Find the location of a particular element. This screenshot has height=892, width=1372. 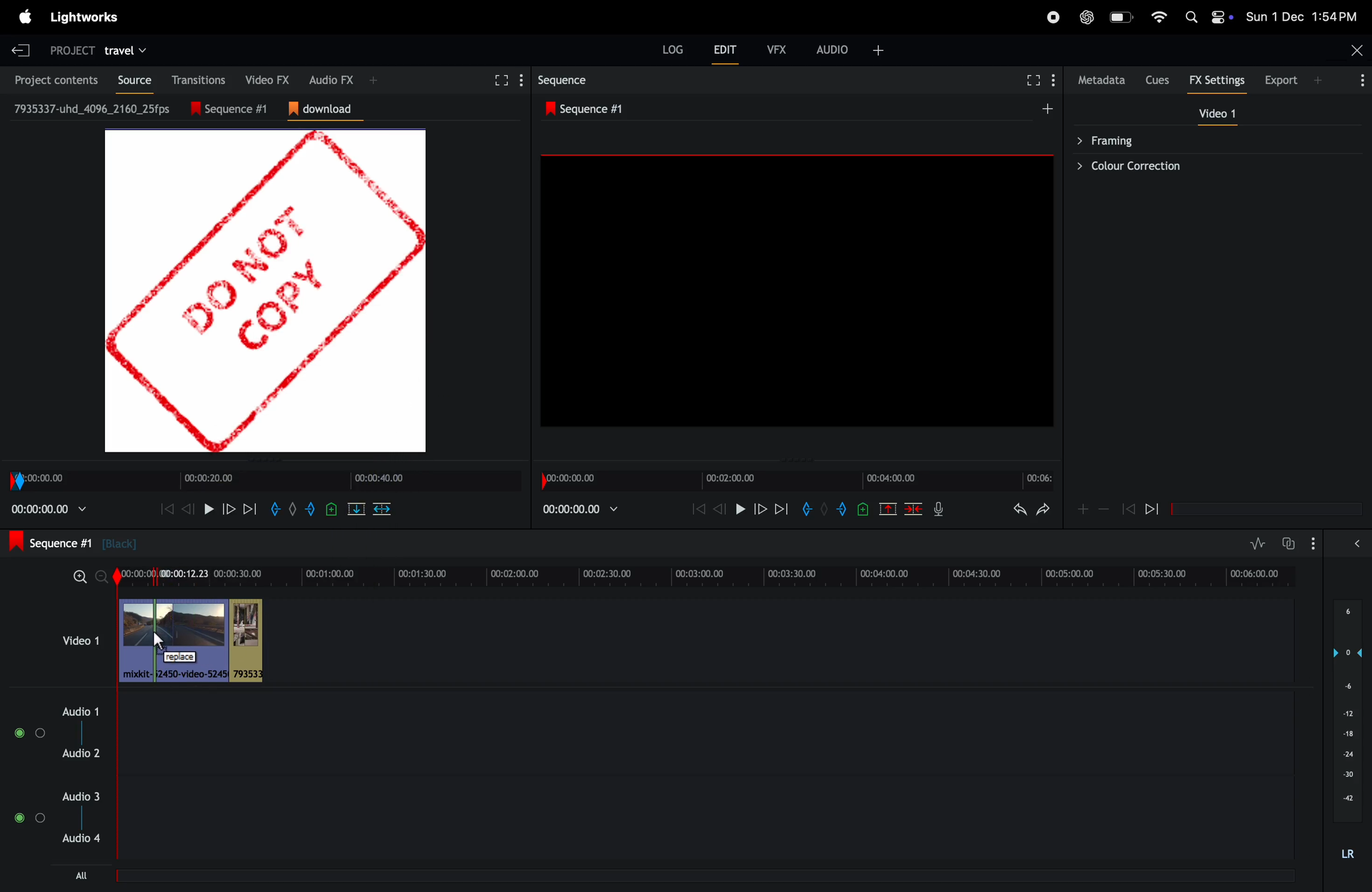

add in is located at coordinates (805, 508).